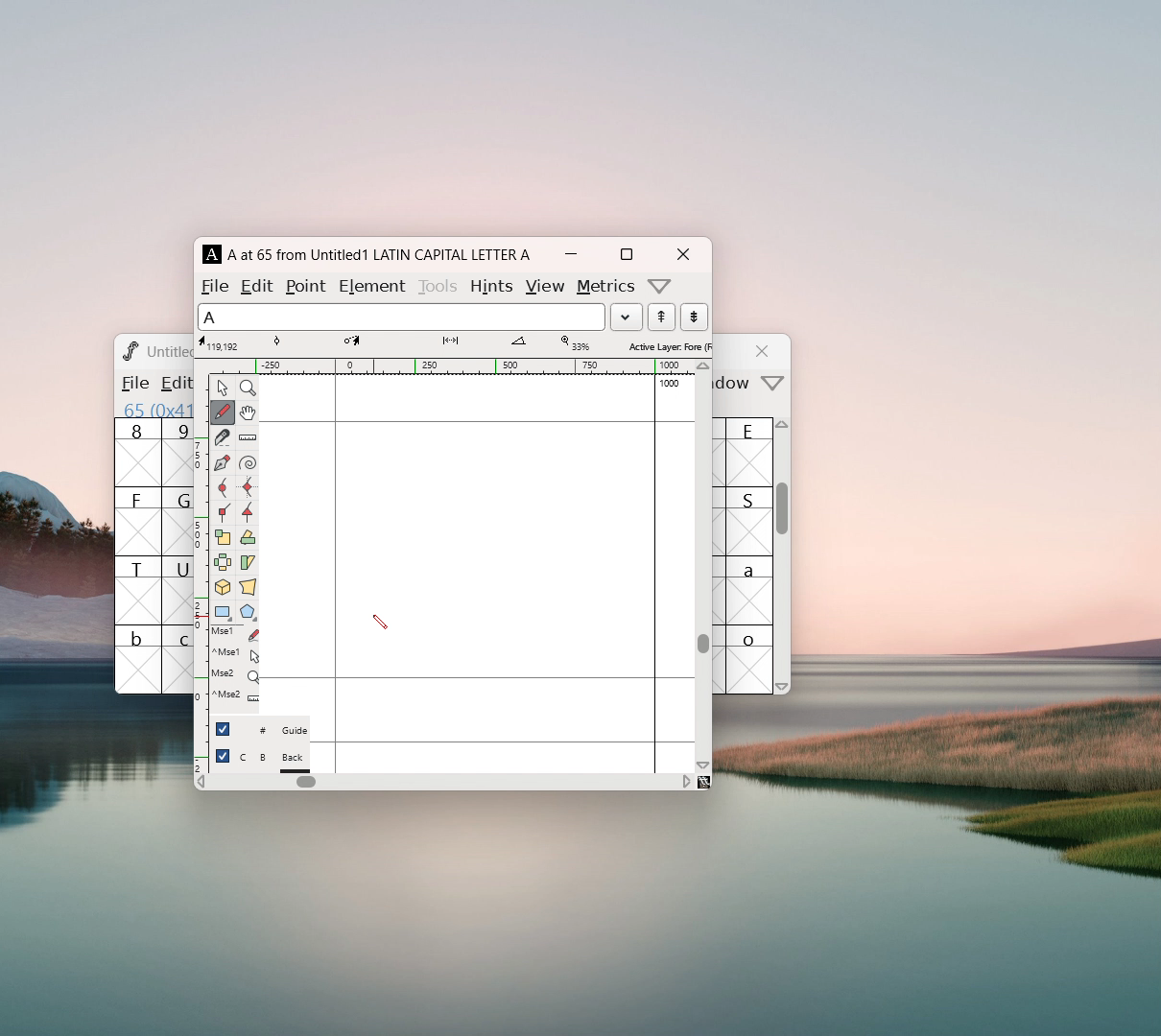  Describe the element at coordinates (380, 622) in the screenshot. I see `cursor` at that location.